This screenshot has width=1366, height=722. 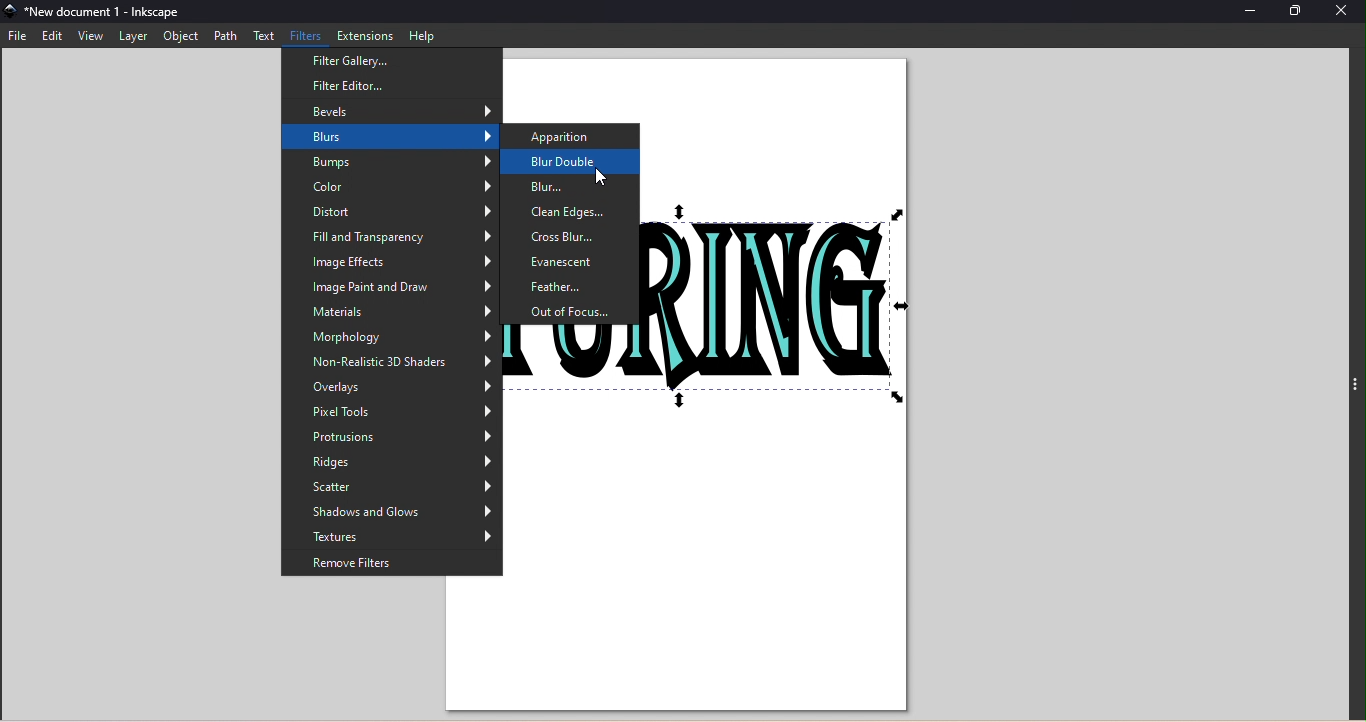 I want to click on Filter editor..., so click(x=385, y=85).